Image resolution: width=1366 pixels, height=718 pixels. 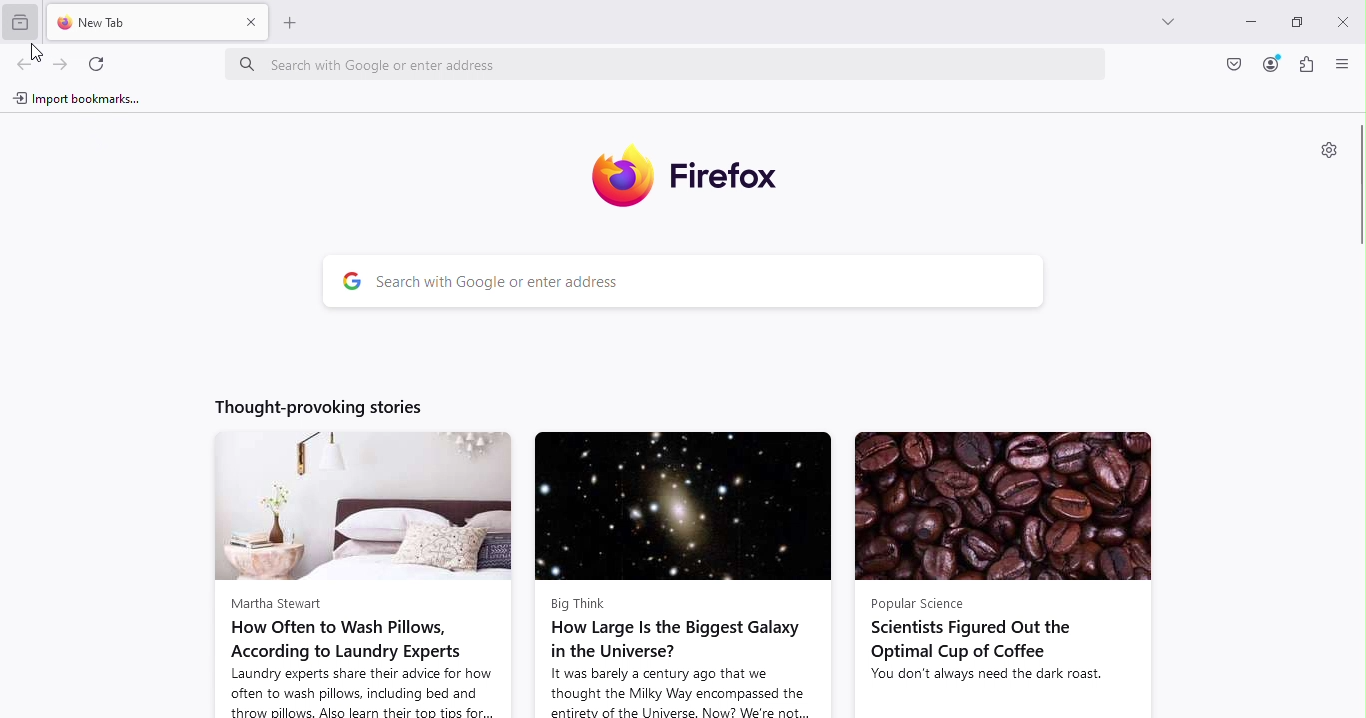 What do you see at coordinates (36, 52) in the screenshot?
I see `cursor` at bounding box center [36, 52].